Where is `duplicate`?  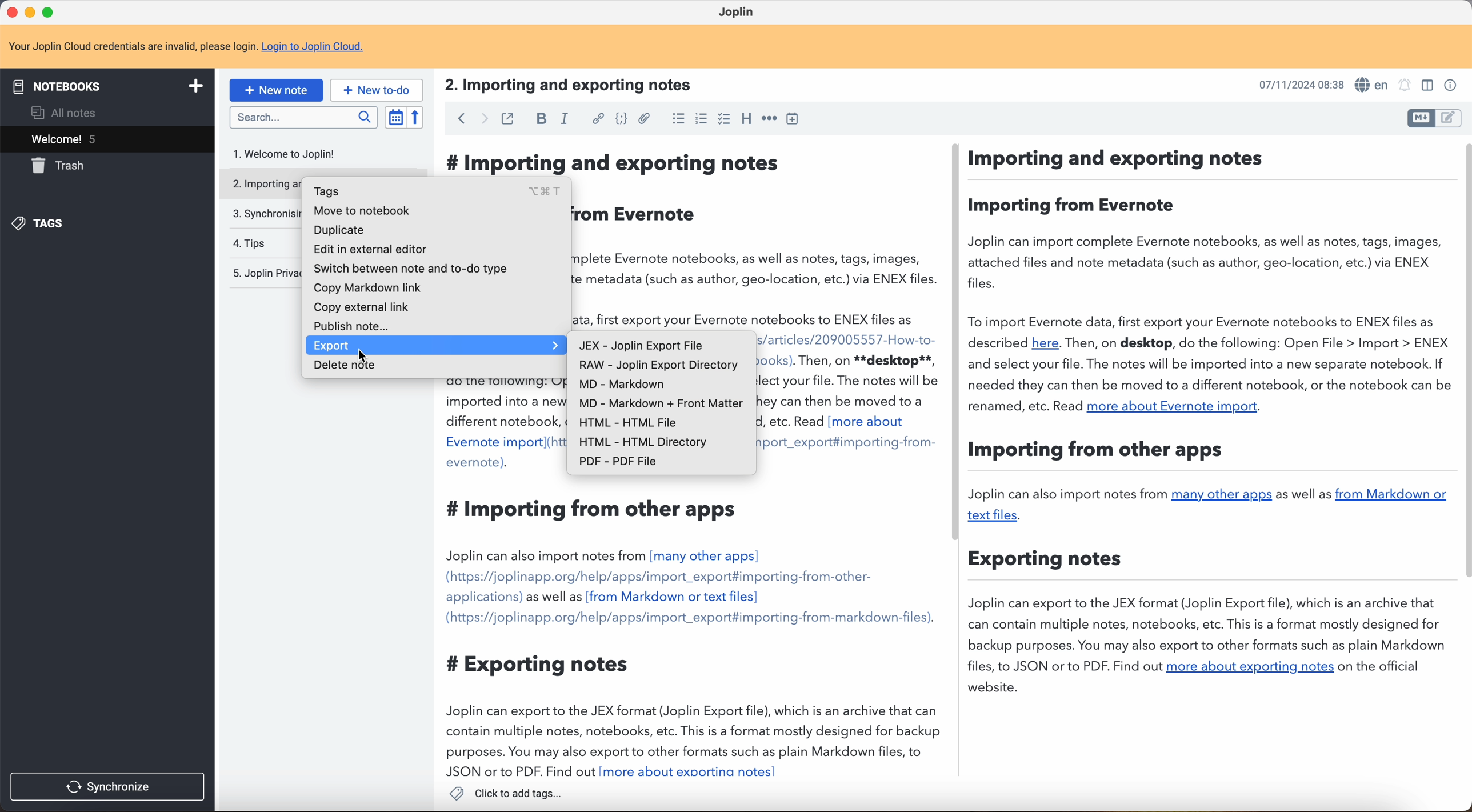
duplicate is located at coordinates (339, 229).